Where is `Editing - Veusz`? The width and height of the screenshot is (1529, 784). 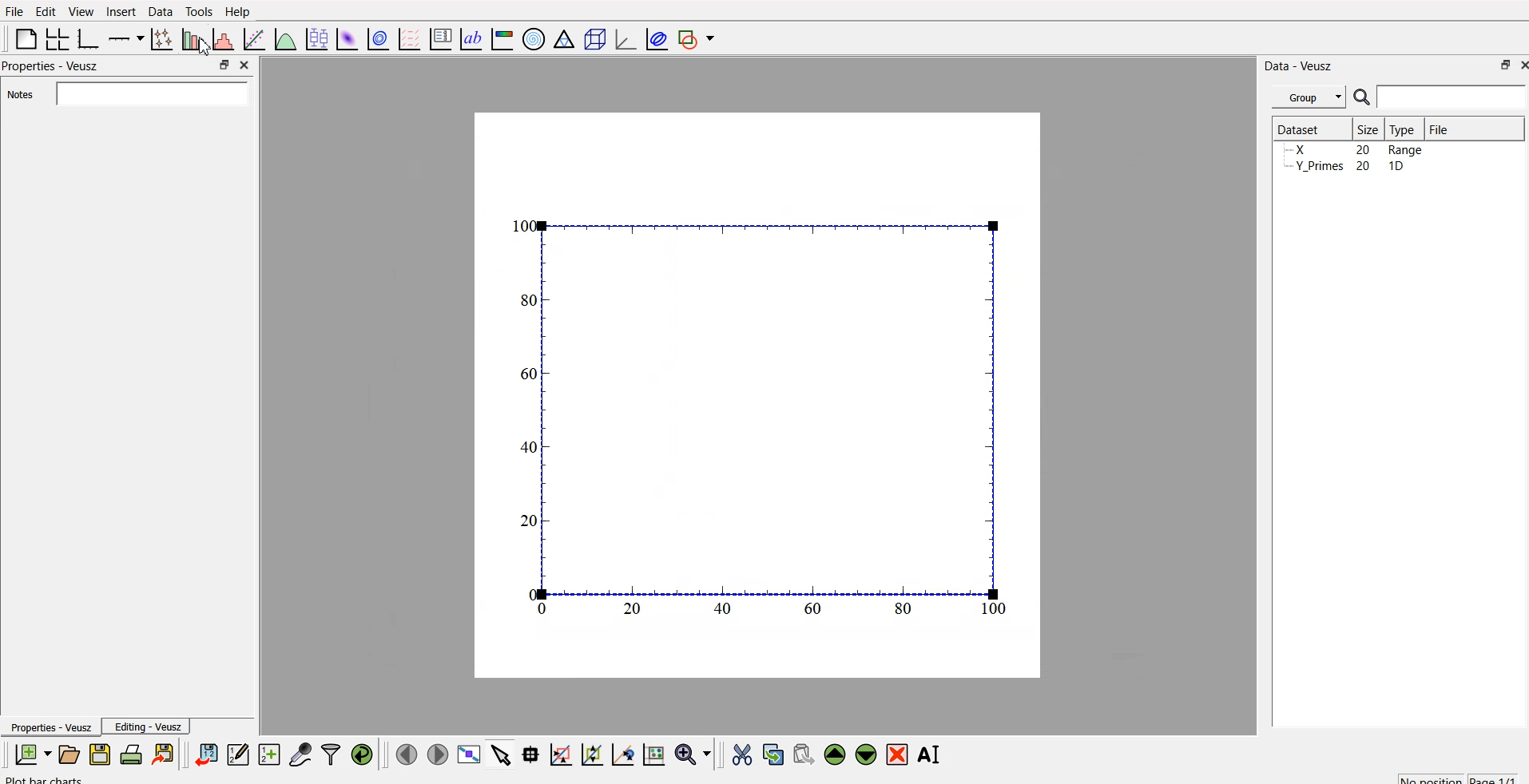
Editing - Veusz is located at coordinates (150, 727).